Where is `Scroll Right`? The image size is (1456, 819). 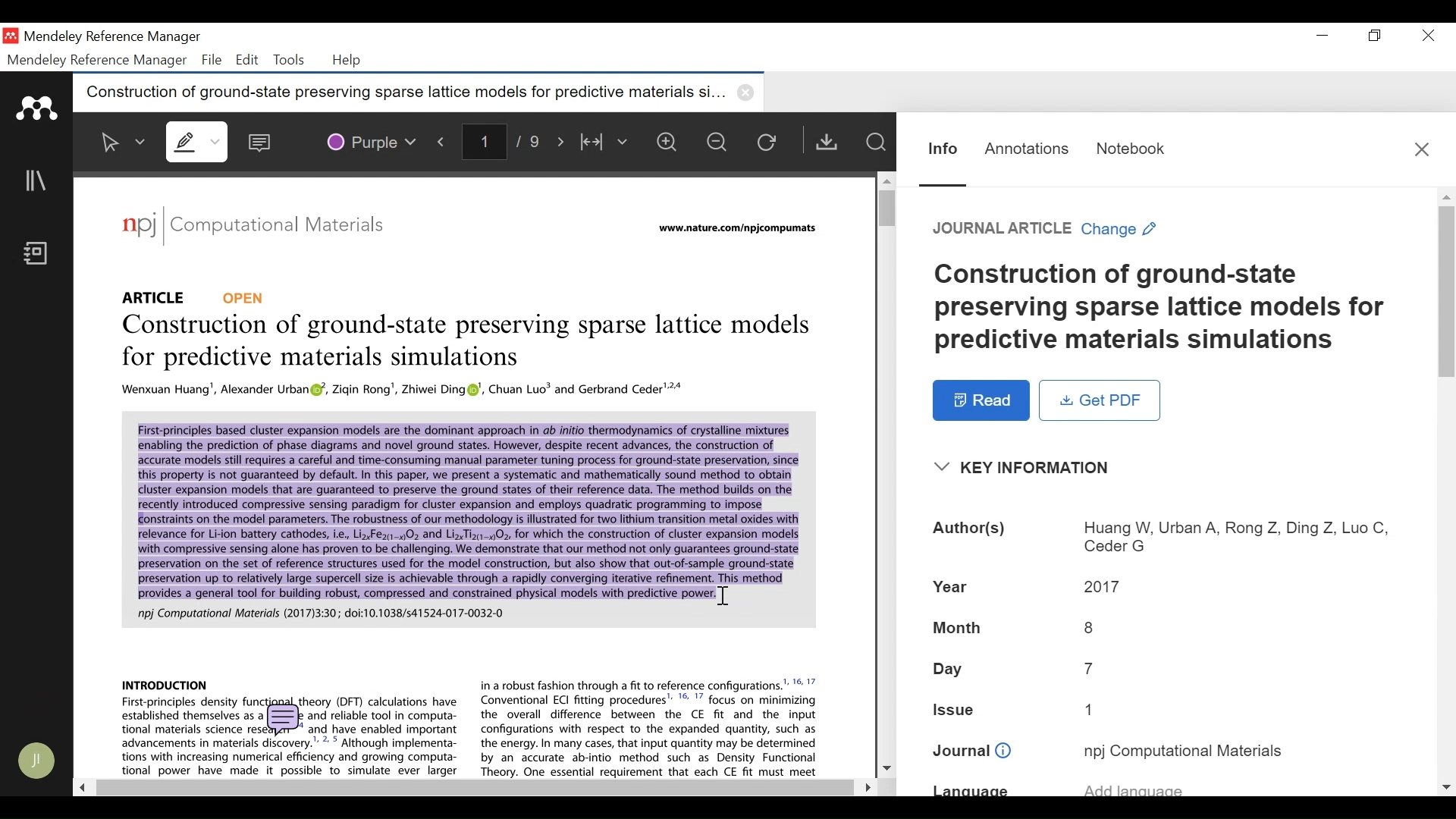 Scroll Right is located at coordinates (864, 787).